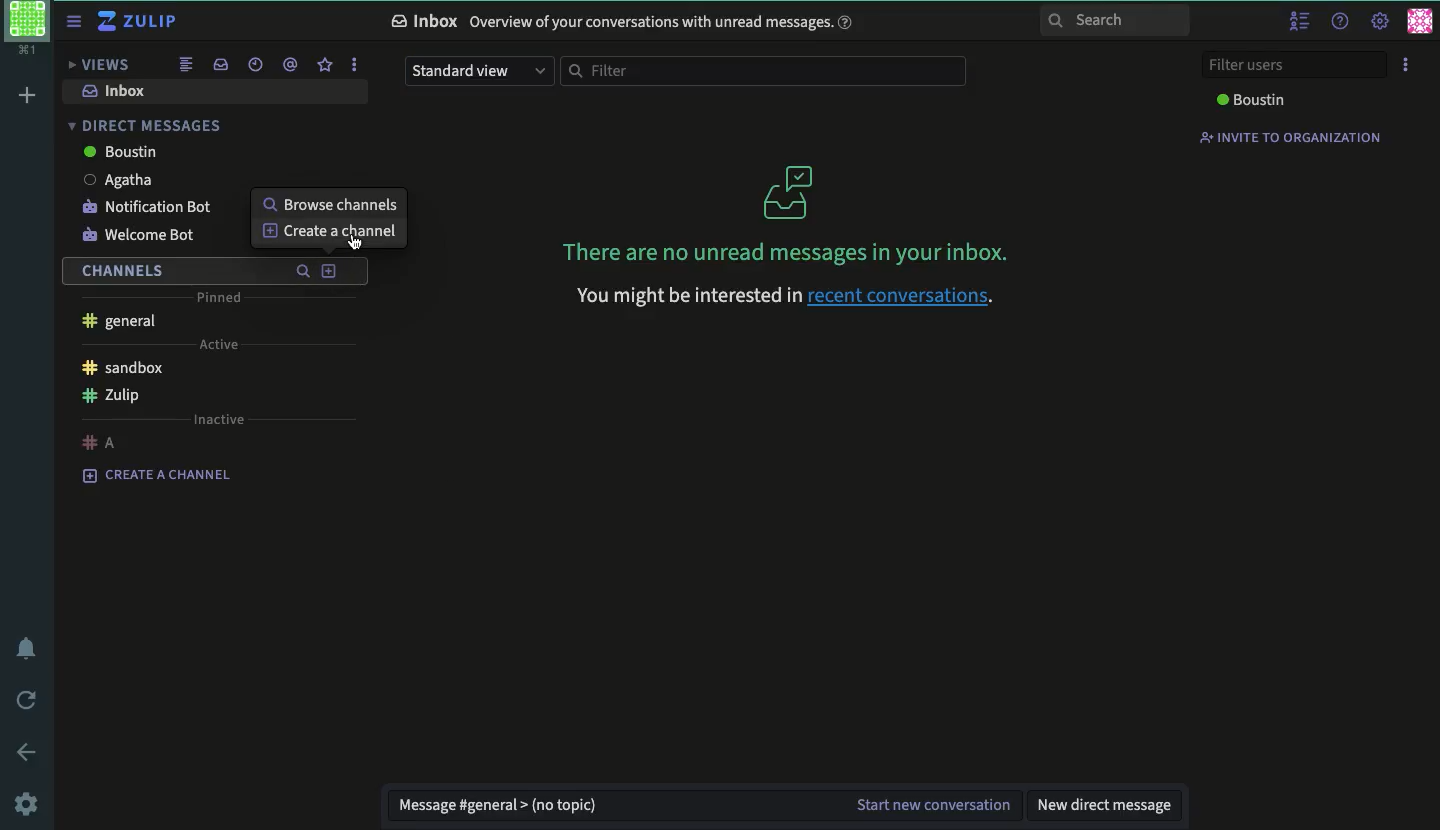  I want to click on options, so click(353, 67).